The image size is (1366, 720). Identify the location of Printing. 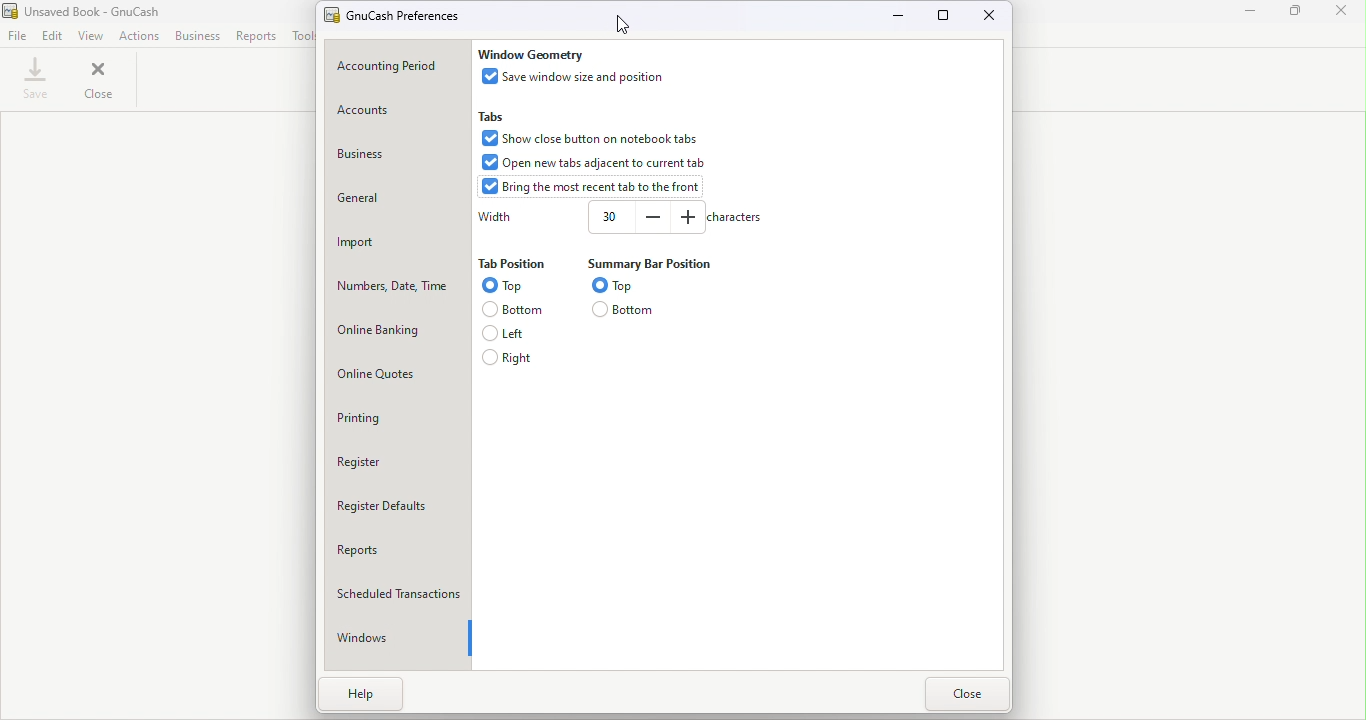
(399, 417).